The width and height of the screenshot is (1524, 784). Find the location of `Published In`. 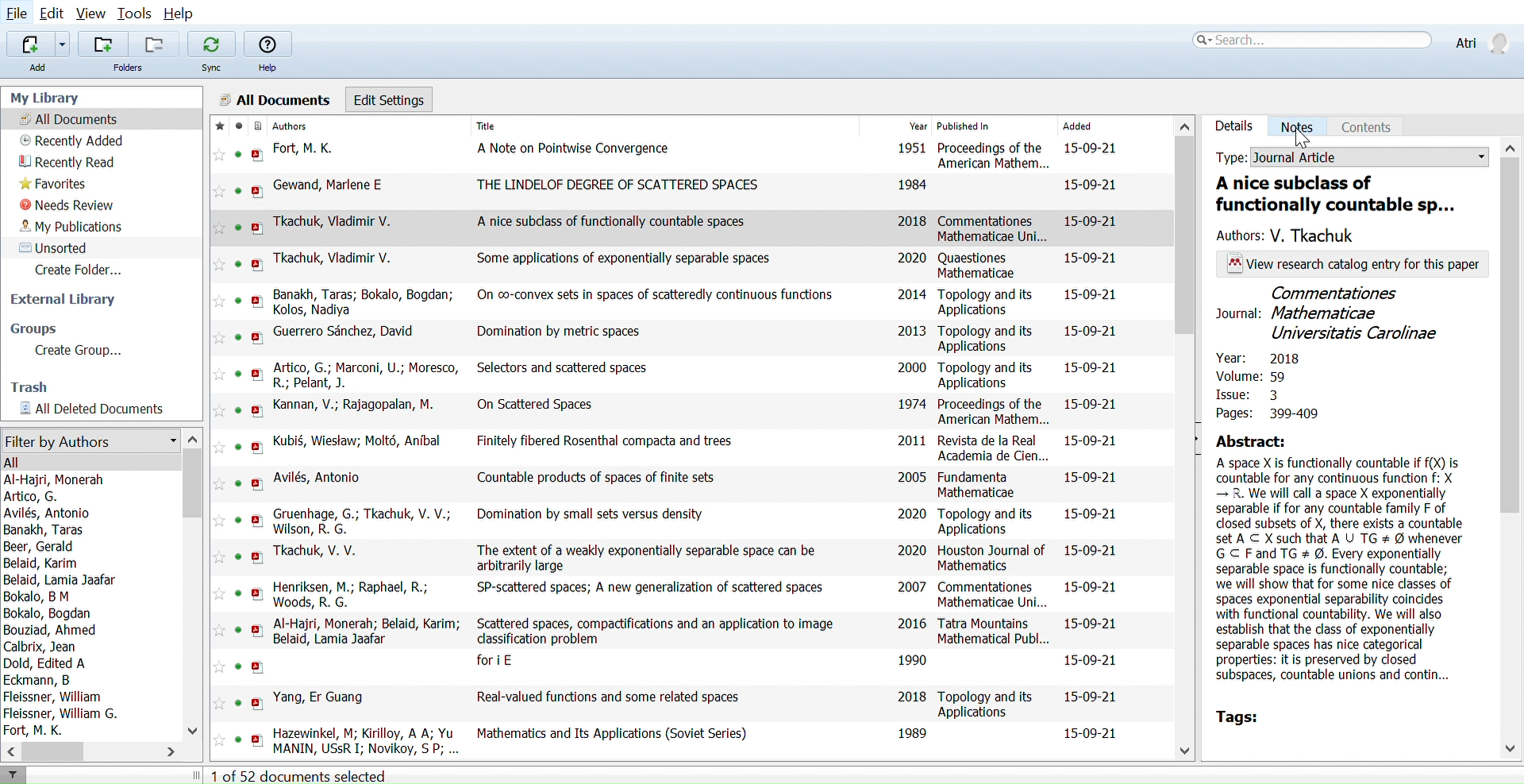

Published In is located at coordinates (964, 126).